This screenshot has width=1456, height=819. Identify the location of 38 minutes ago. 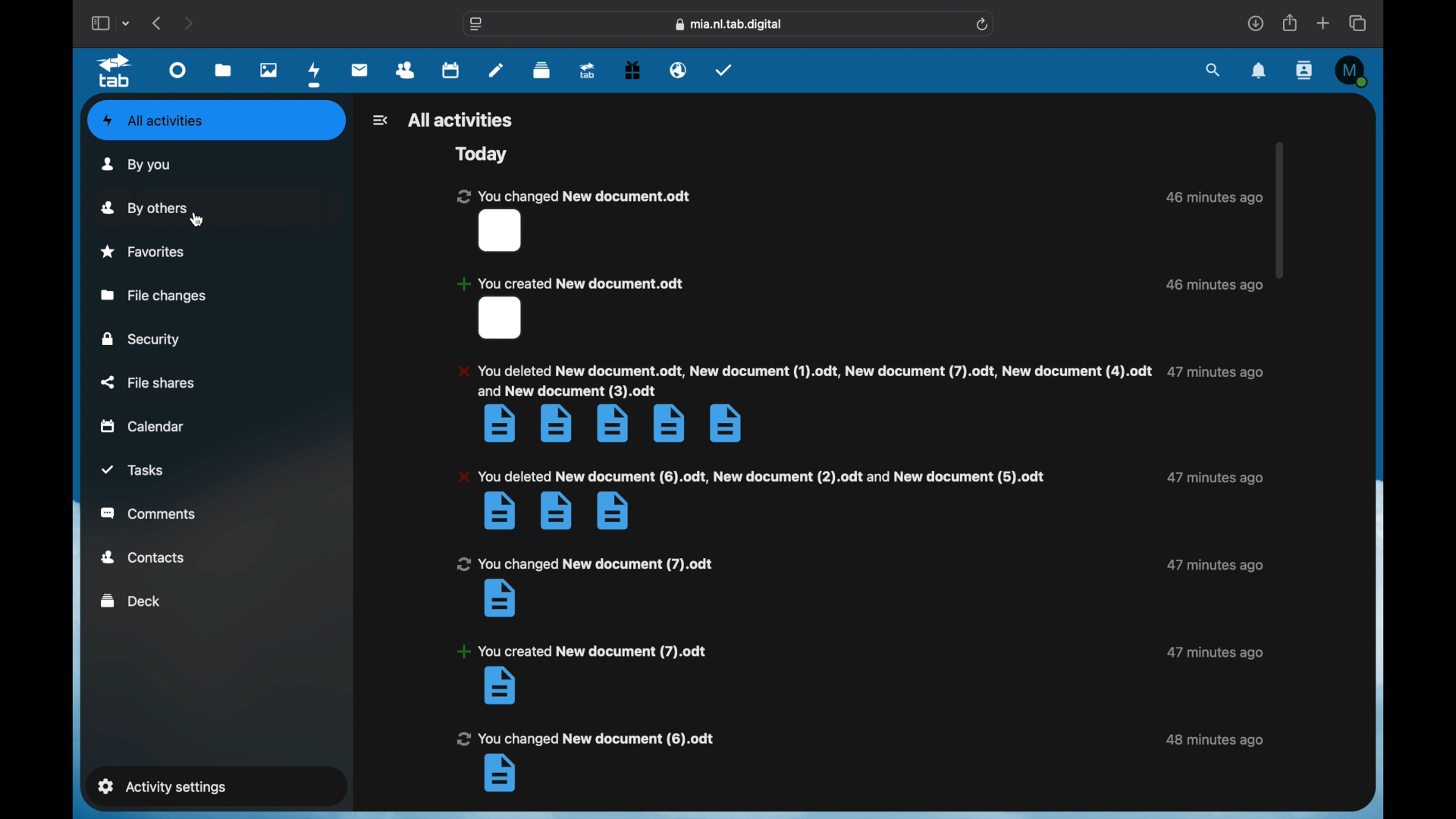
(1214, 739).